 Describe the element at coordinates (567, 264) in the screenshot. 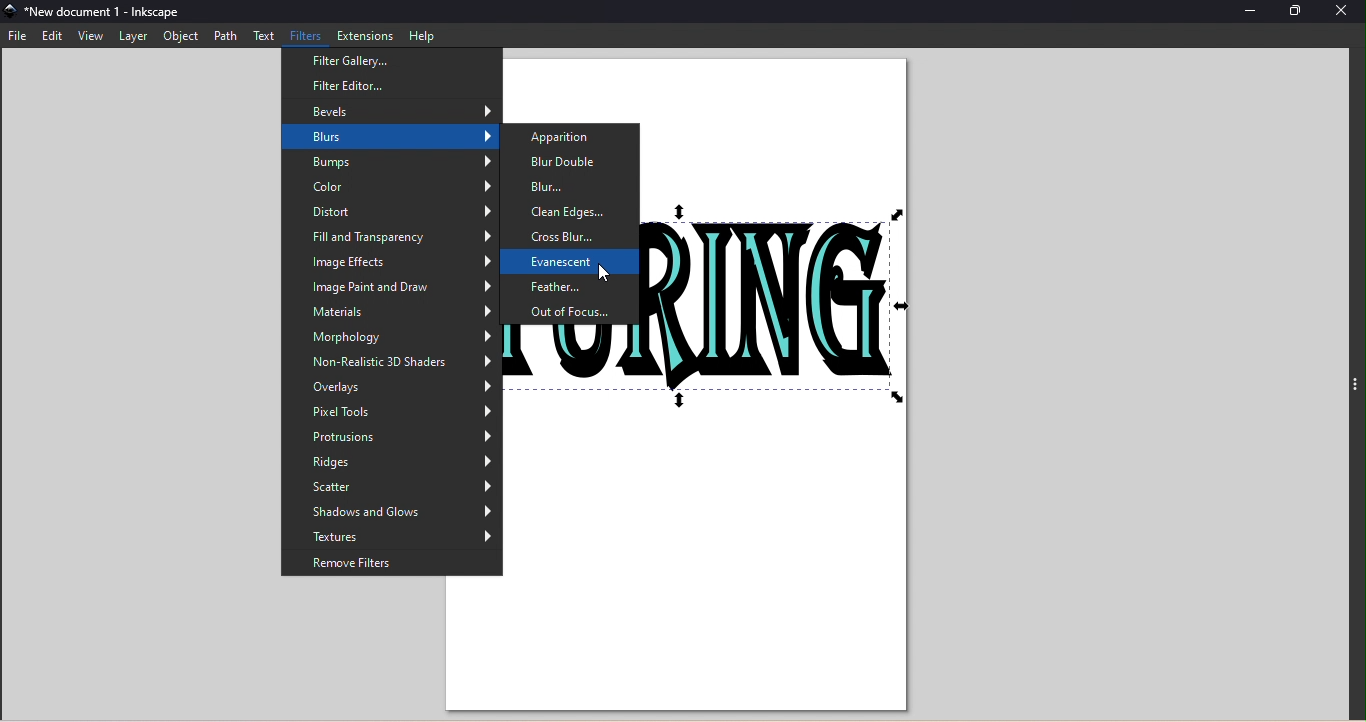

I see `Evanescent` at that location.